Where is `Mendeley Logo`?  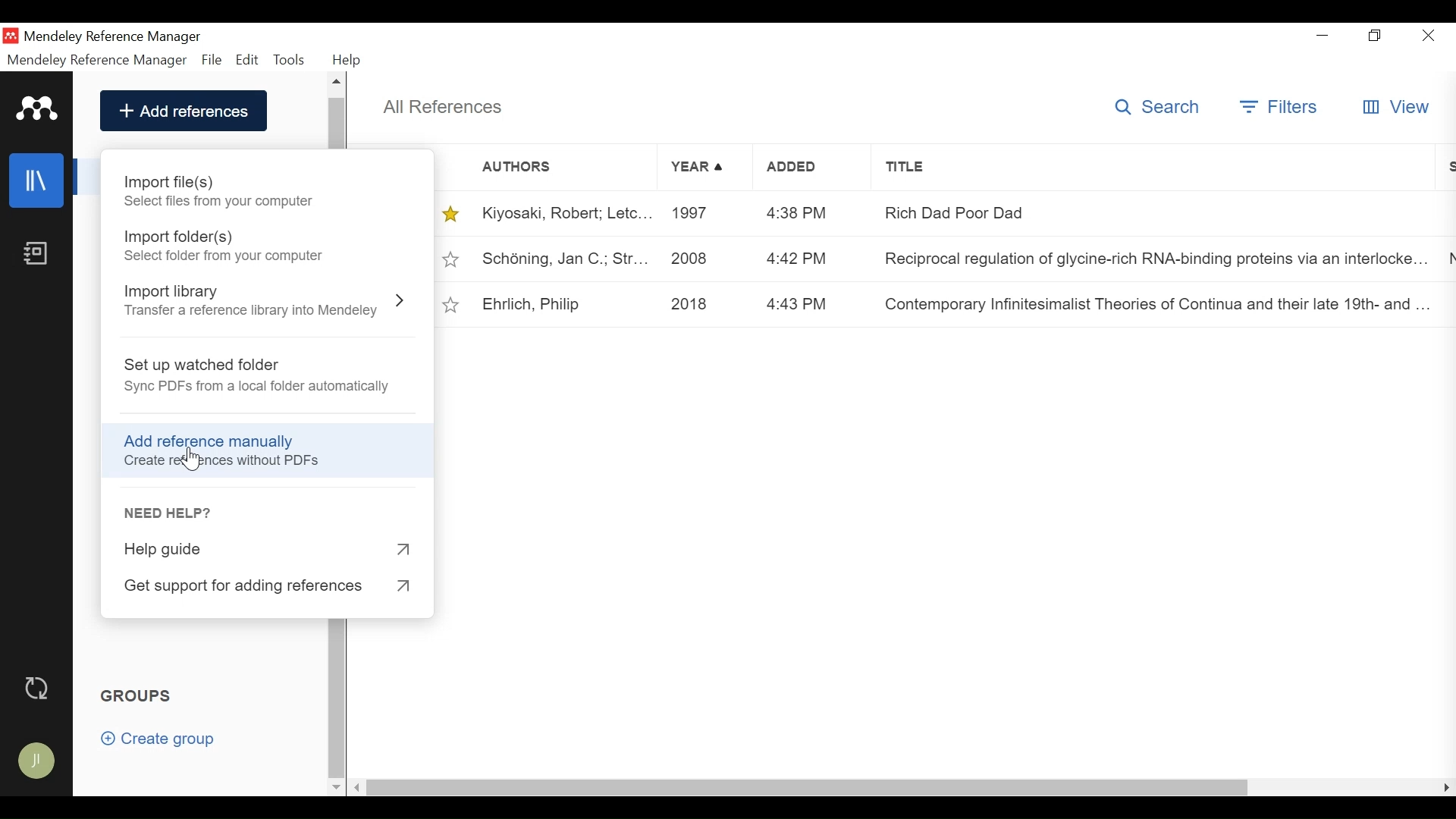 Mendeley Logo is located at coordinates (34, 107).